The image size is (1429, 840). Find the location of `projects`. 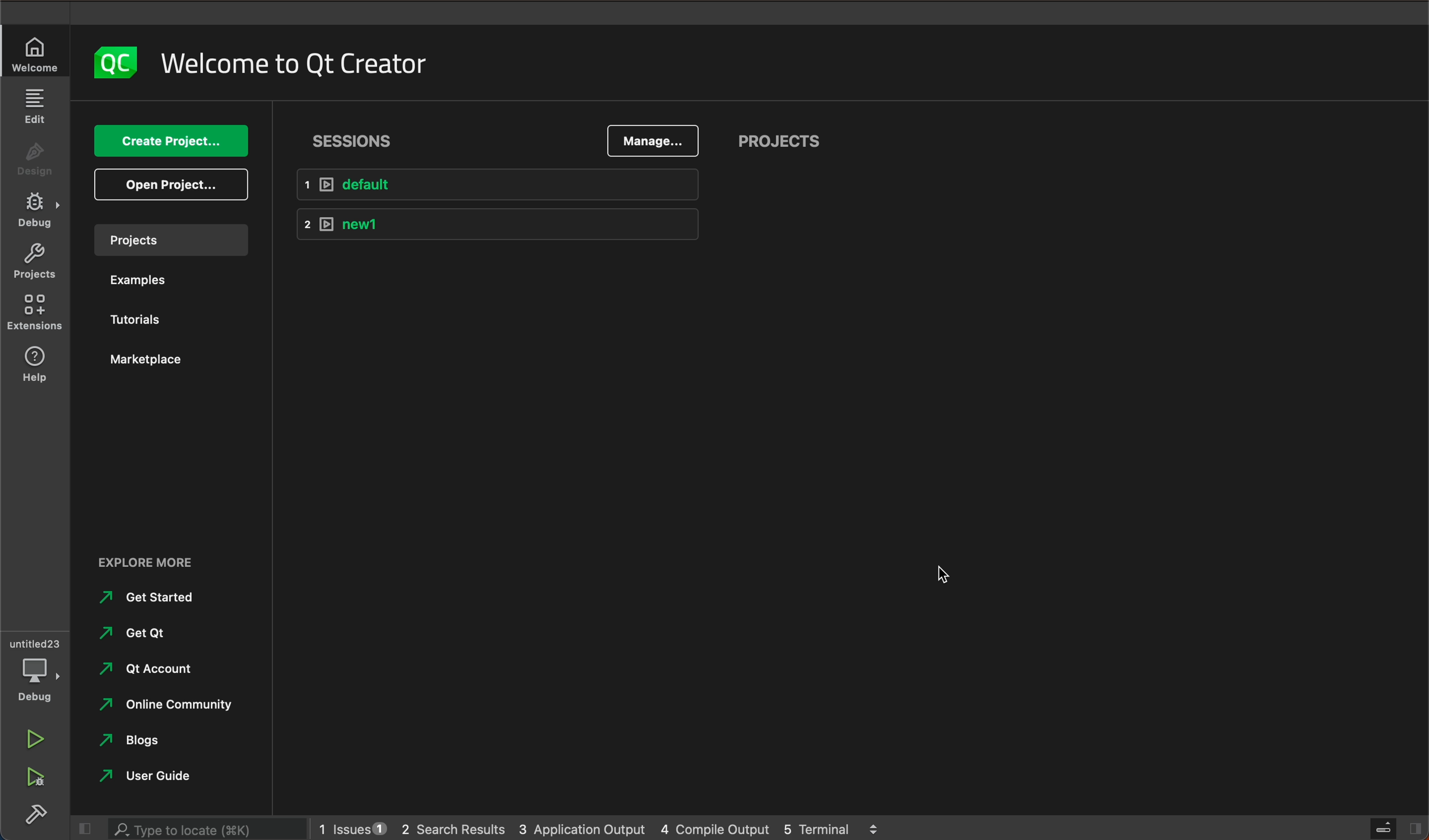

projects is located at coordinates (781, 145).